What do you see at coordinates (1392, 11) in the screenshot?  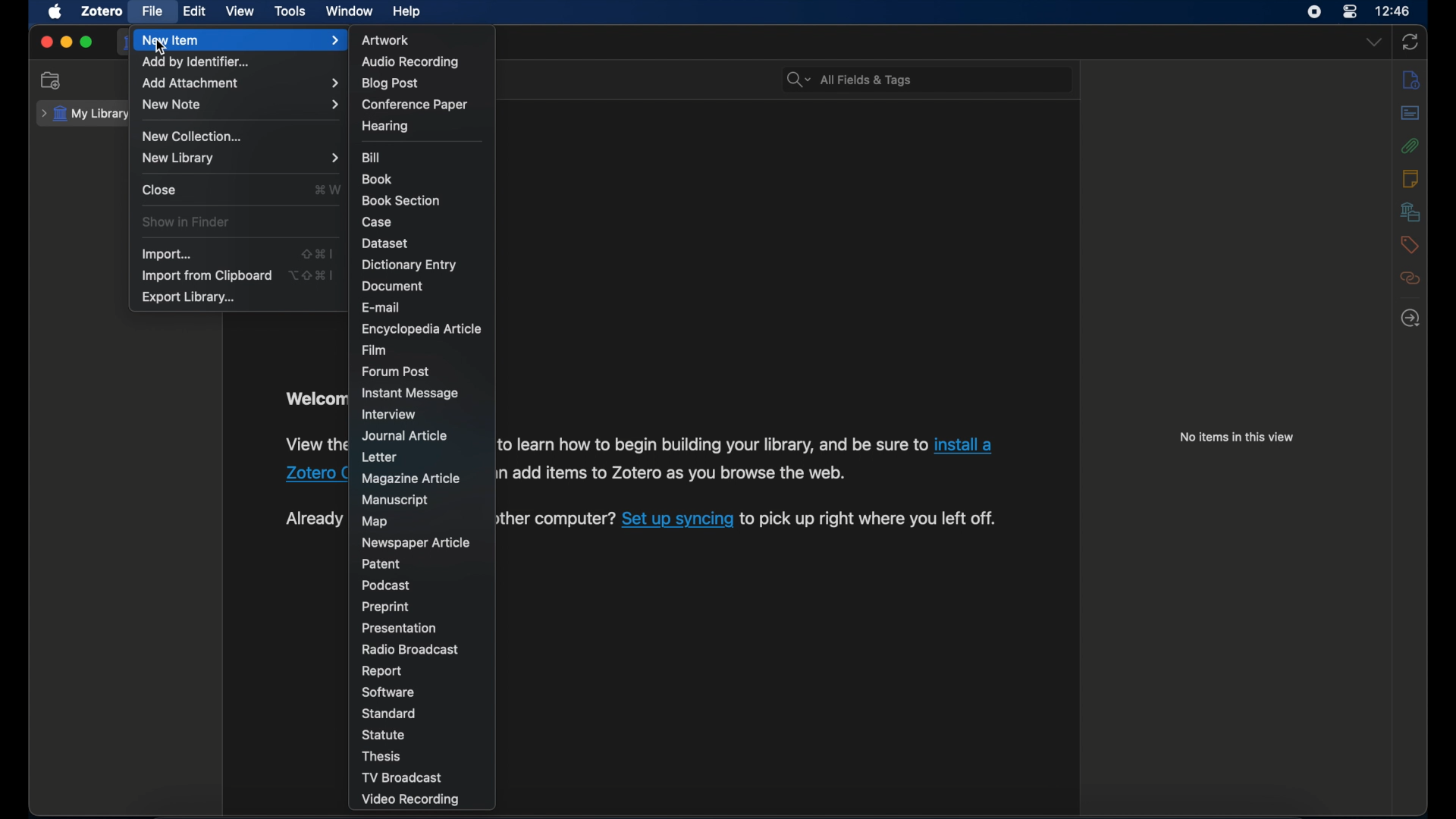 I see `time` at bounding box center [1392, 11].